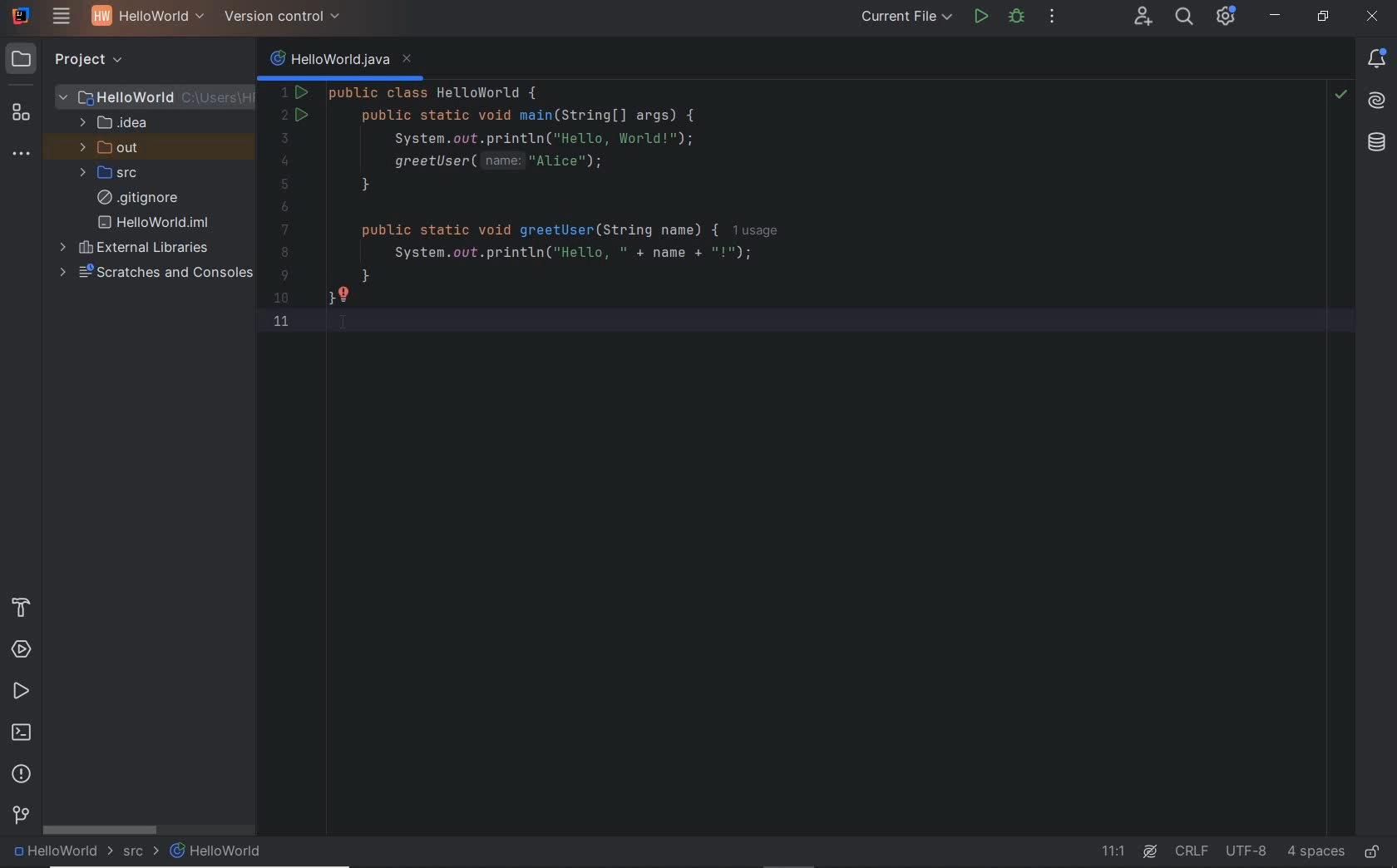  Describe the element at coordinates (351, 335) in the screenshot. I see `I-beam cursor` at that location.